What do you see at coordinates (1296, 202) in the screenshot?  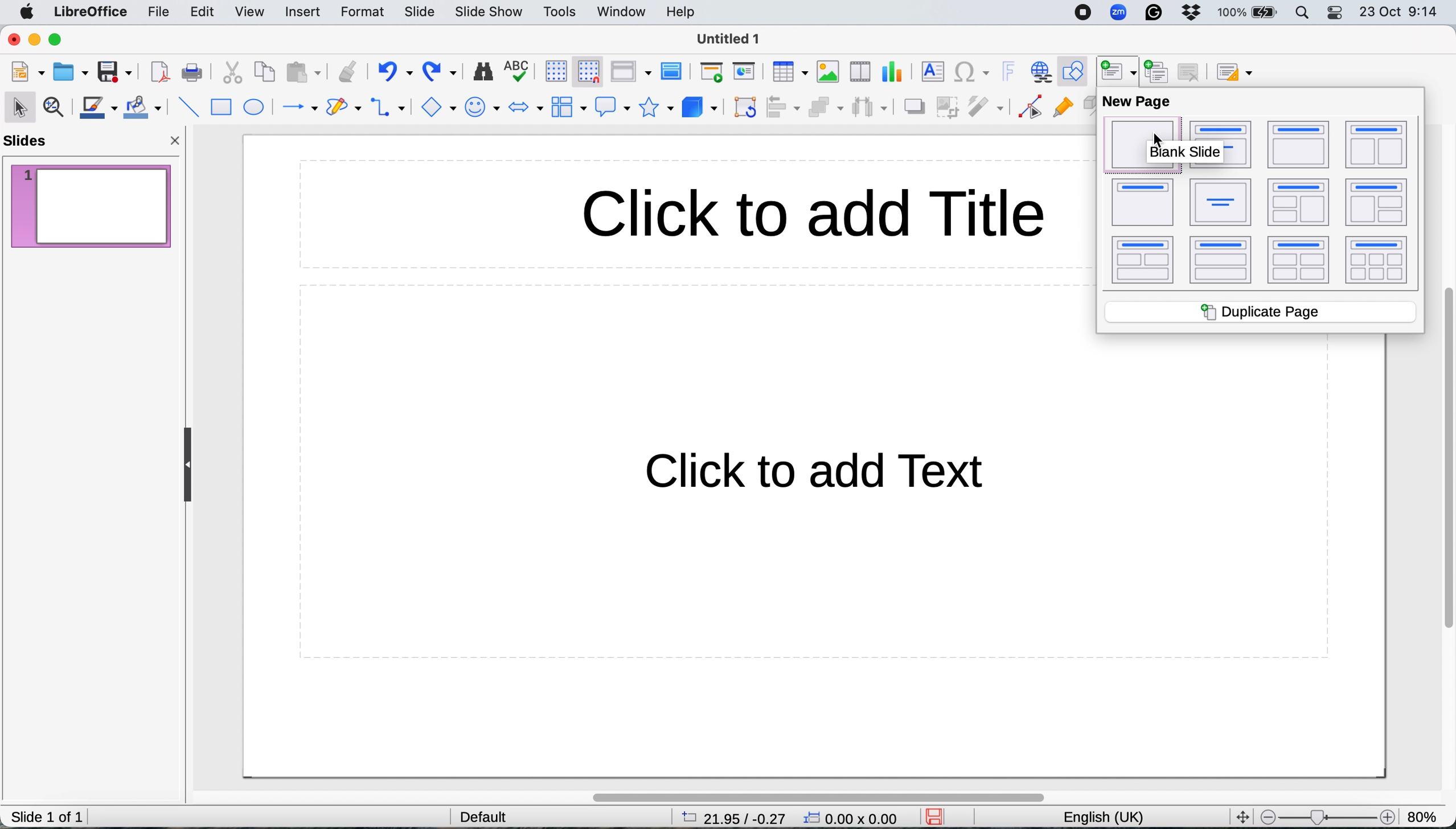 I see `title, two content, content` at bounding box center [1296, 202].